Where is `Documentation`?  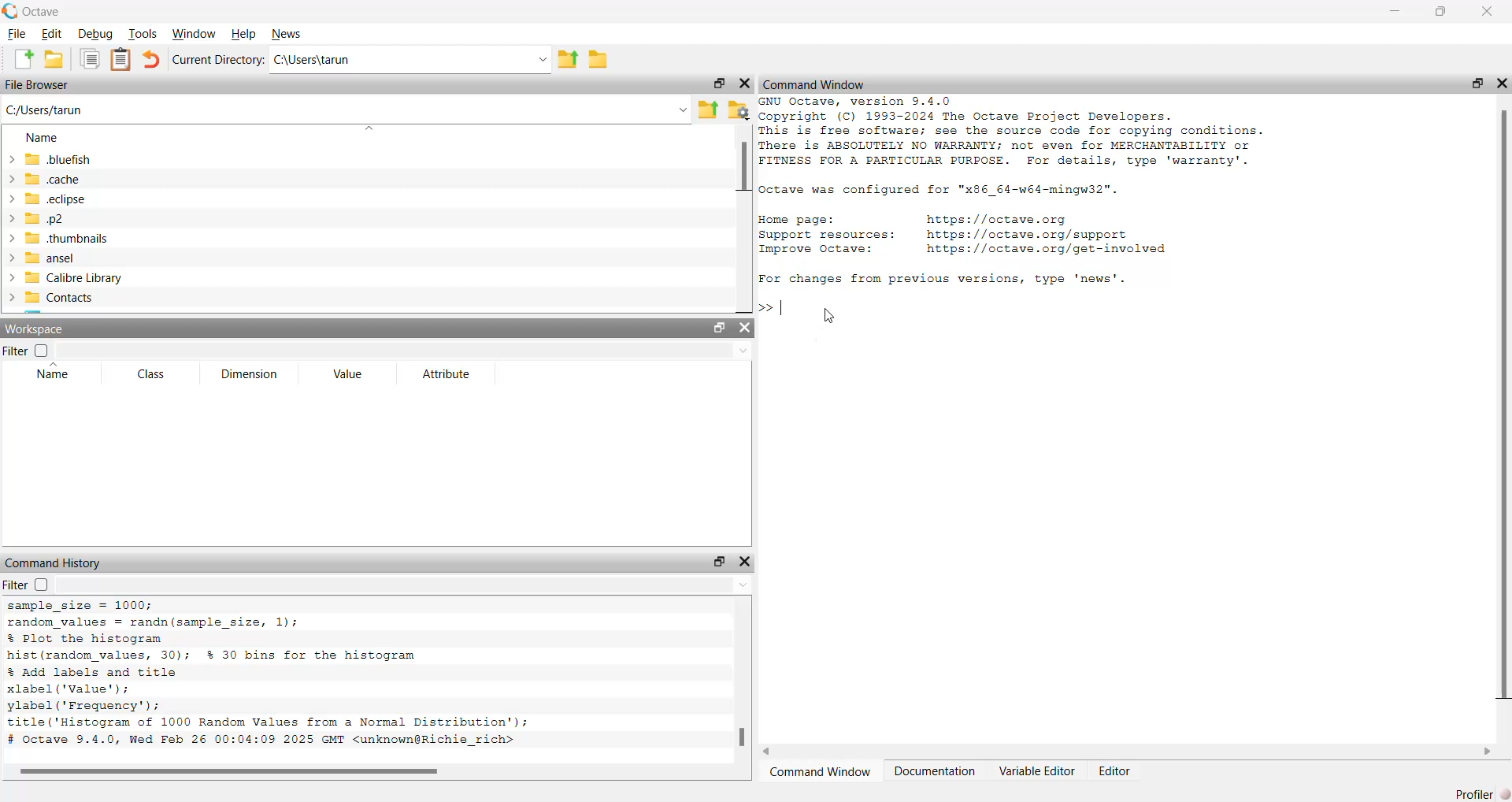
Documentation is located at coordinates (936, 772).